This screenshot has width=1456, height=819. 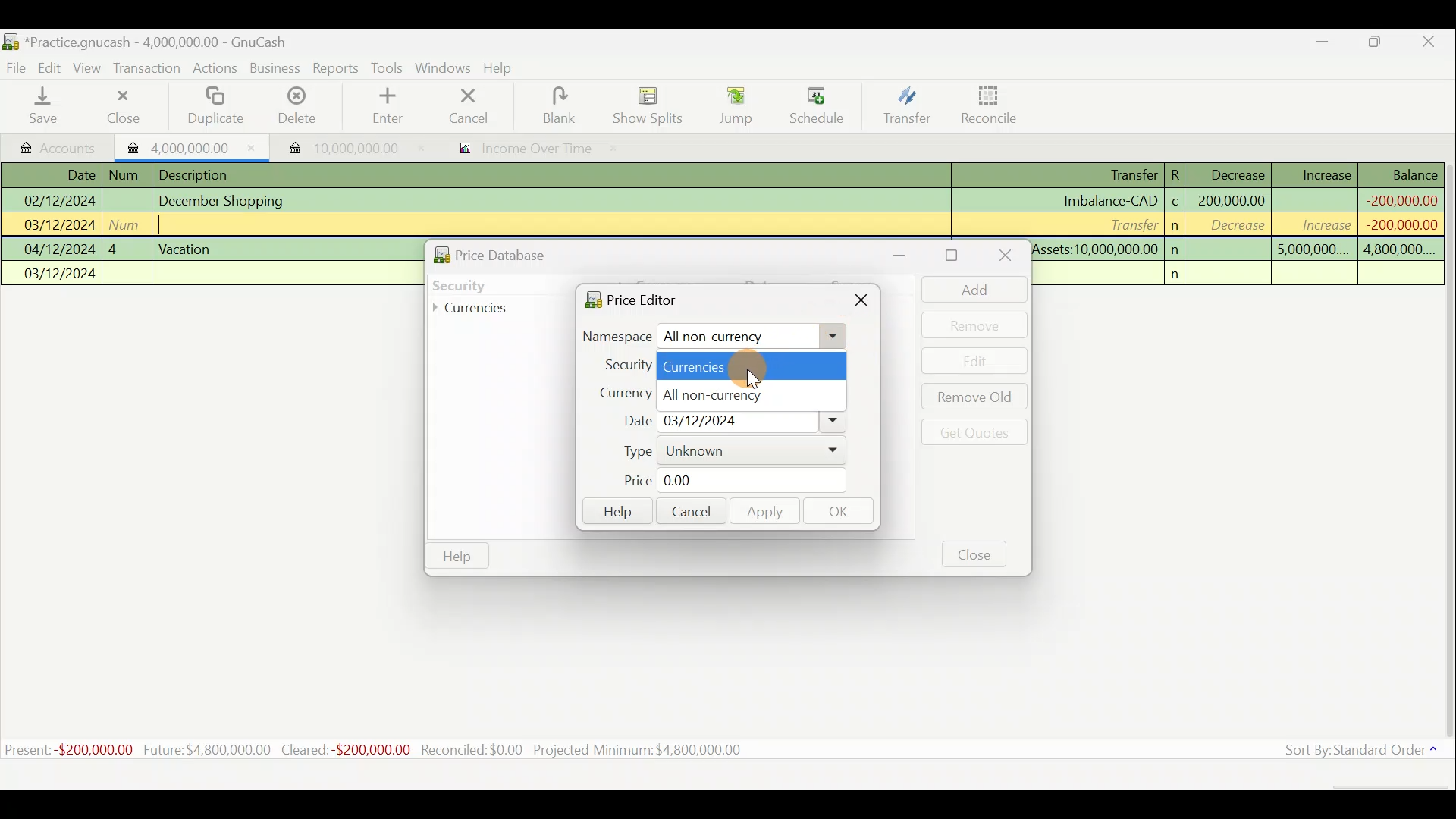 What do you see at coordinates (187, 247) in the screenshot?
I see `Vacation` at bounding box center [187, 247].